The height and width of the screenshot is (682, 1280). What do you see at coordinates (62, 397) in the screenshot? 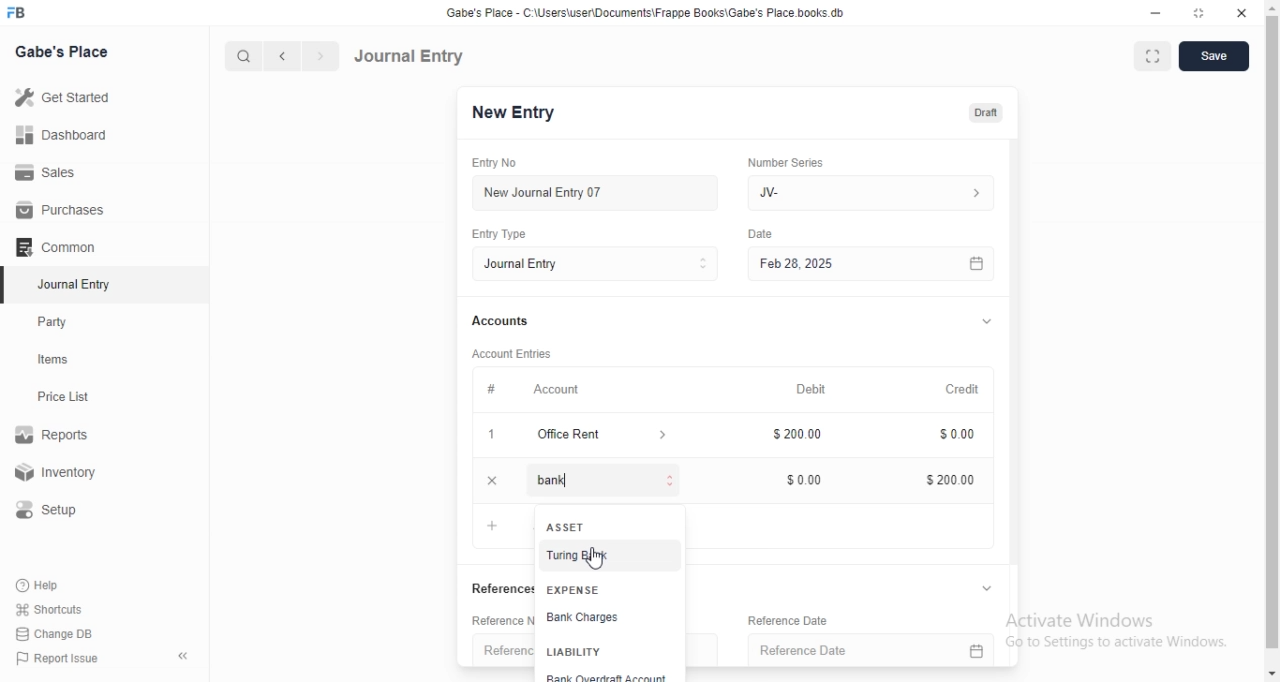
I see `Price List` at bounding box center [62, 397].